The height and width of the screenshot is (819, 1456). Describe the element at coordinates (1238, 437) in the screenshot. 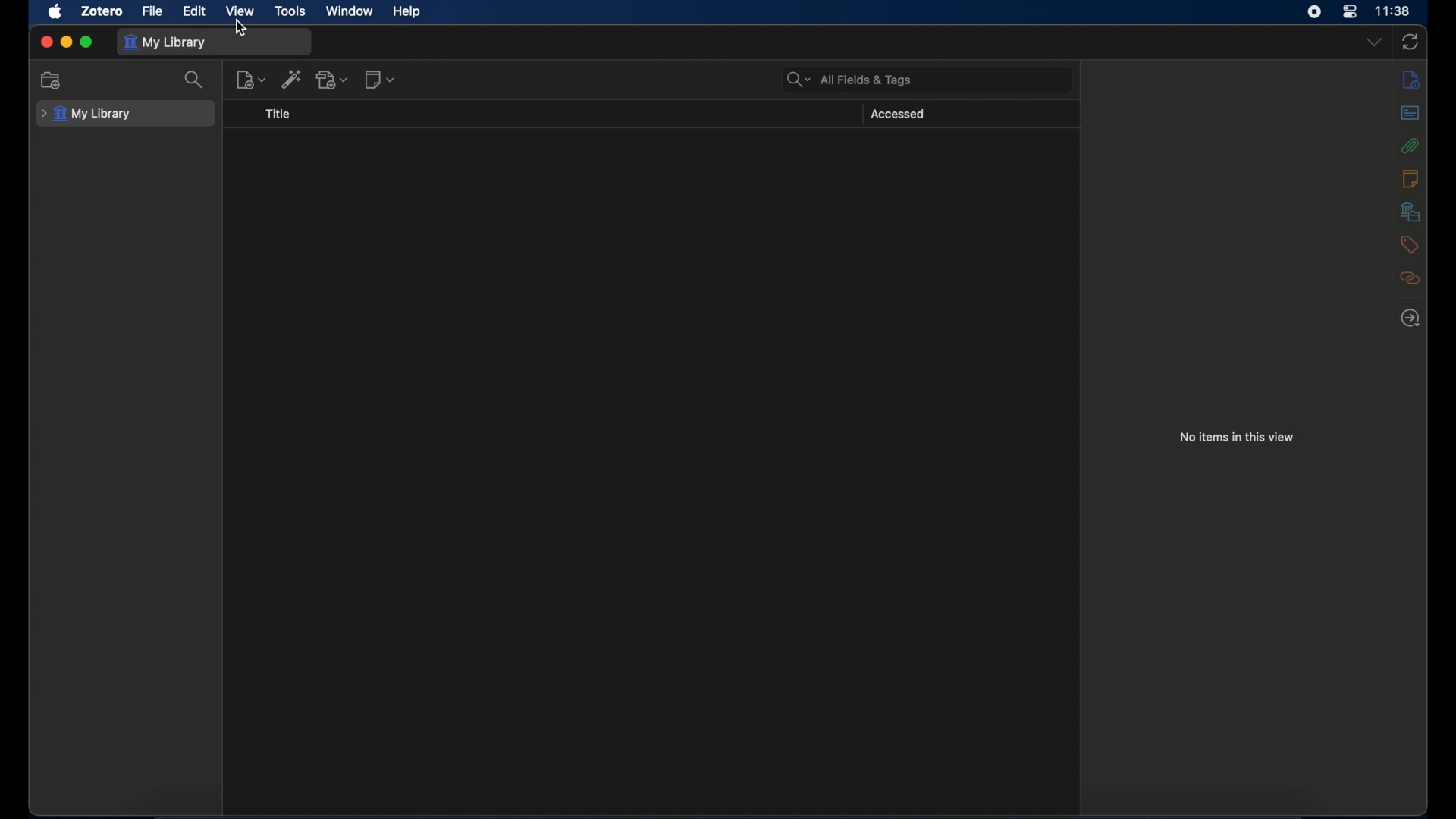

I see `no items in this view` at that location.